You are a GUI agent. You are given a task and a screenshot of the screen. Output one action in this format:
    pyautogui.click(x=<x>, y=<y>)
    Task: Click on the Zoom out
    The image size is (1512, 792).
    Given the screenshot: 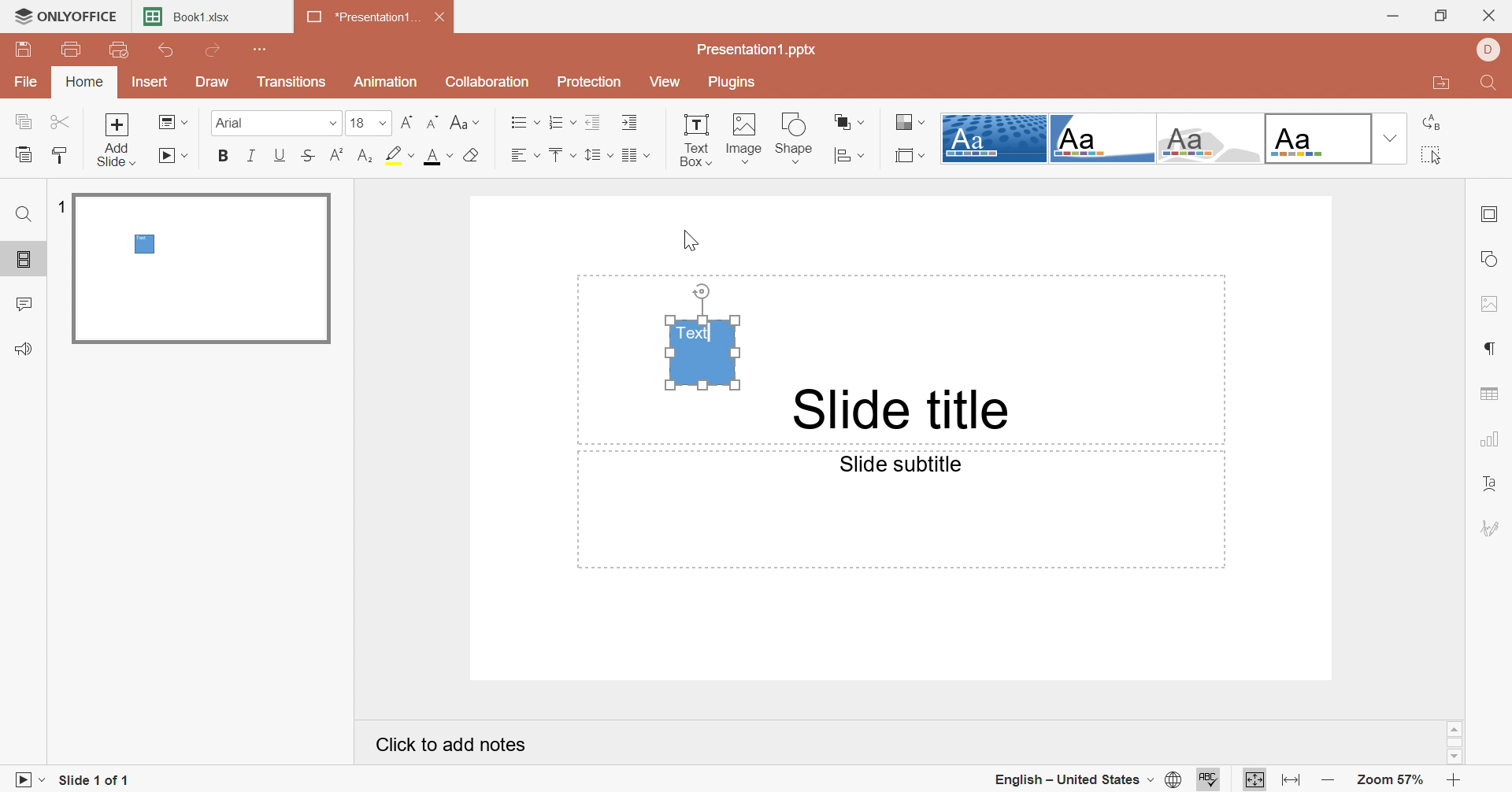 What is the action you would take?
    pyautogui.click(x=1329, y=778)
    